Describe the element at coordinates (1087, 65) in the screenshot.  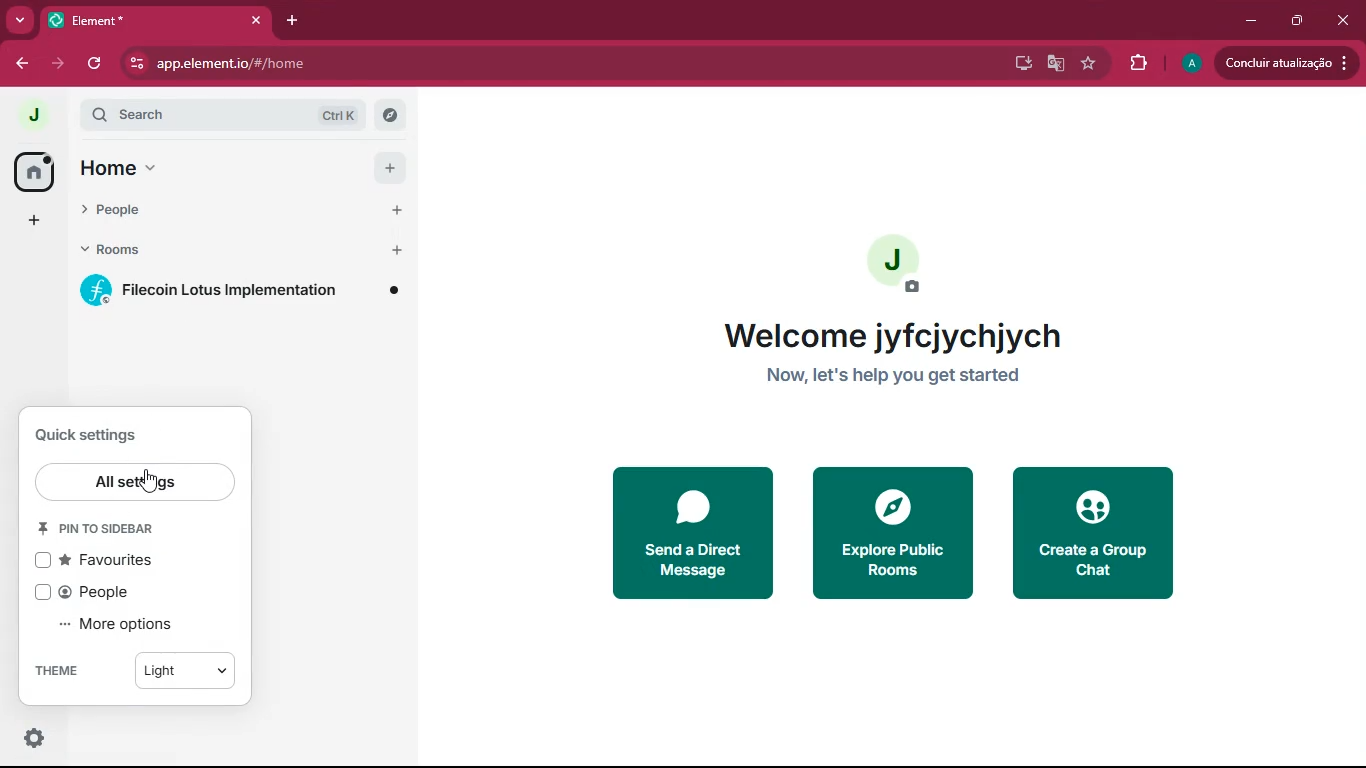
I see `favourite ` at that location.